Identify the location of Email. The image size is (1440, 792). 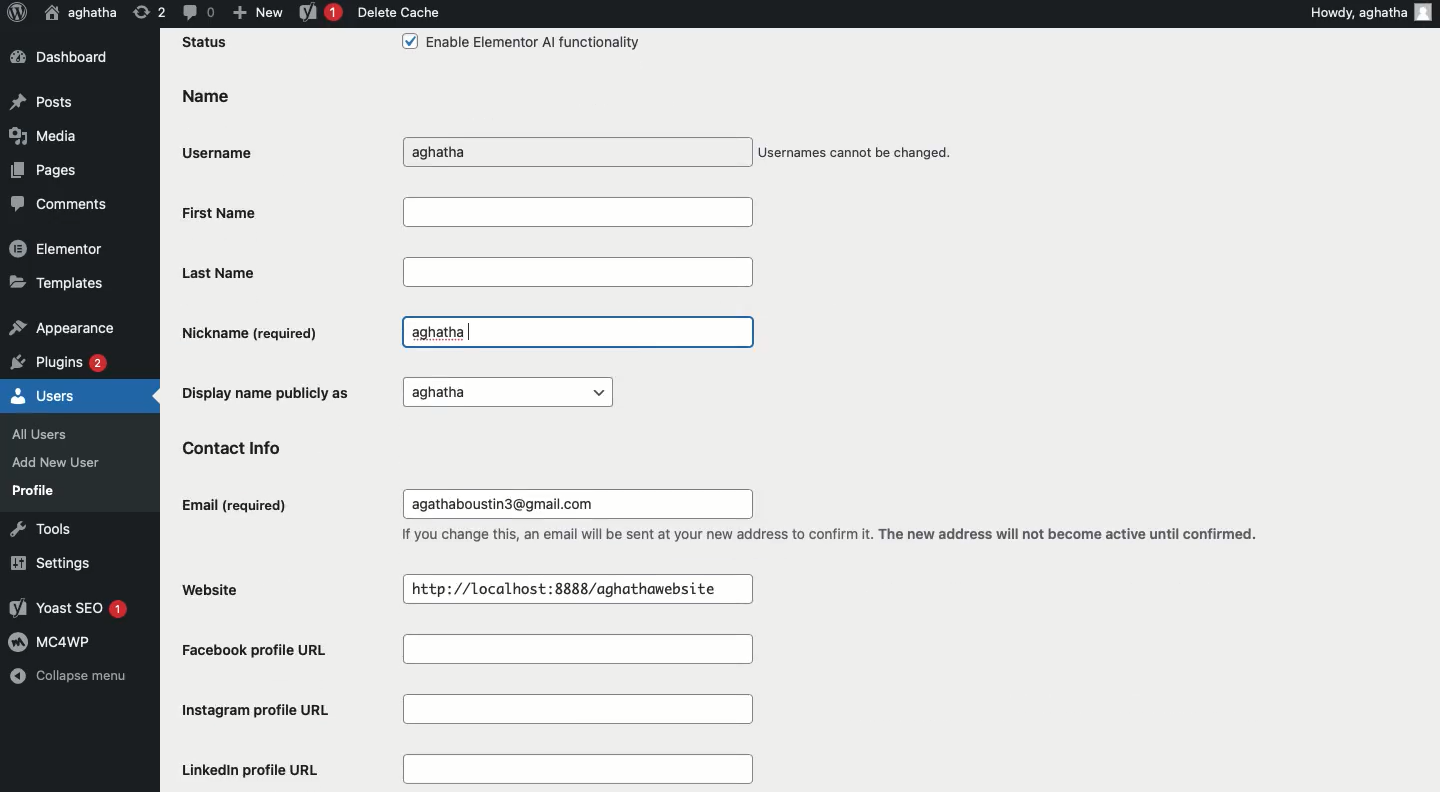
(237, 506).